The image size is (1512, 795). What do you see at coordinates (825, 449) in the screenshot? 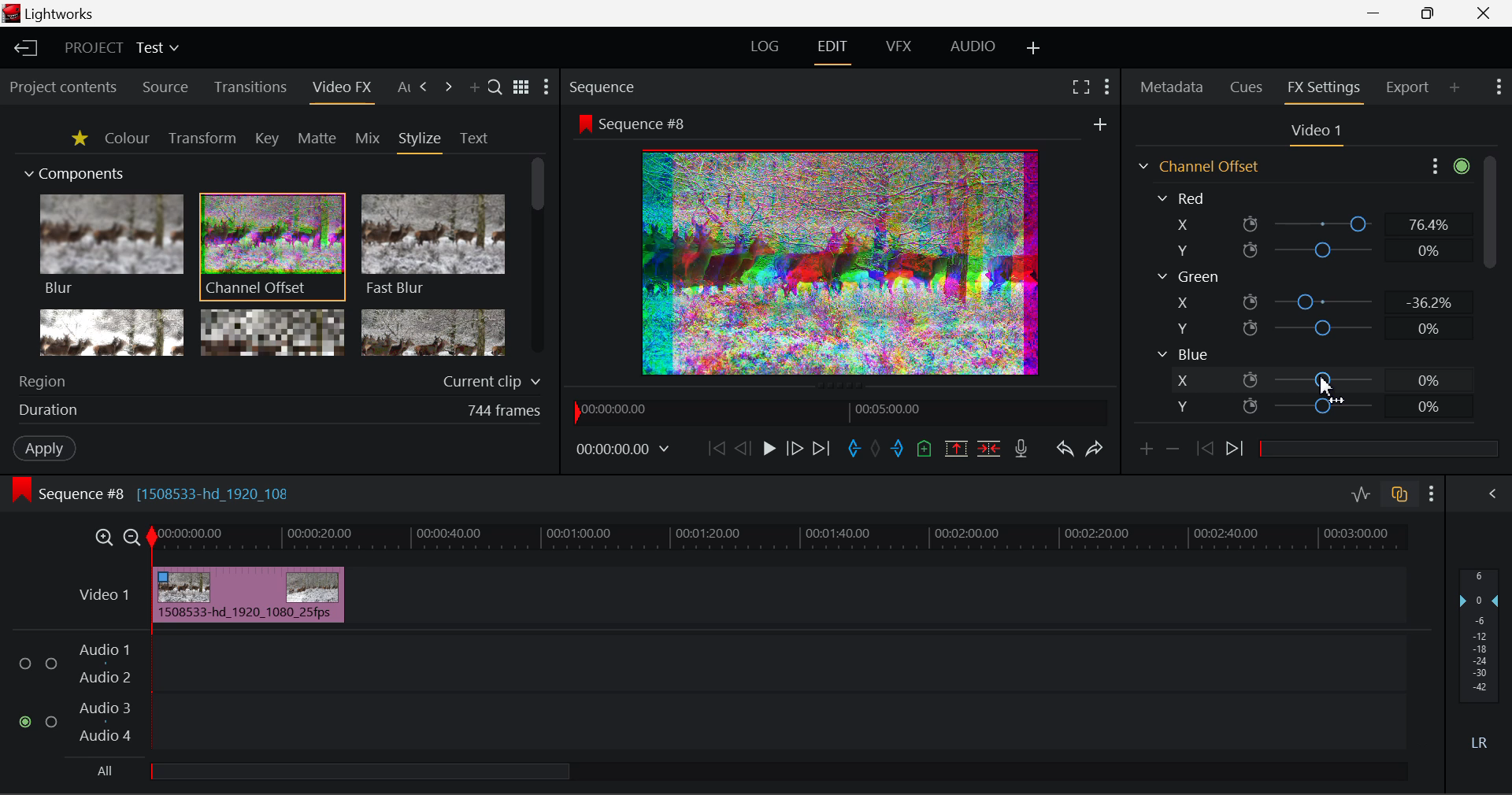
I see `To End` at bounding box center [825, 449].